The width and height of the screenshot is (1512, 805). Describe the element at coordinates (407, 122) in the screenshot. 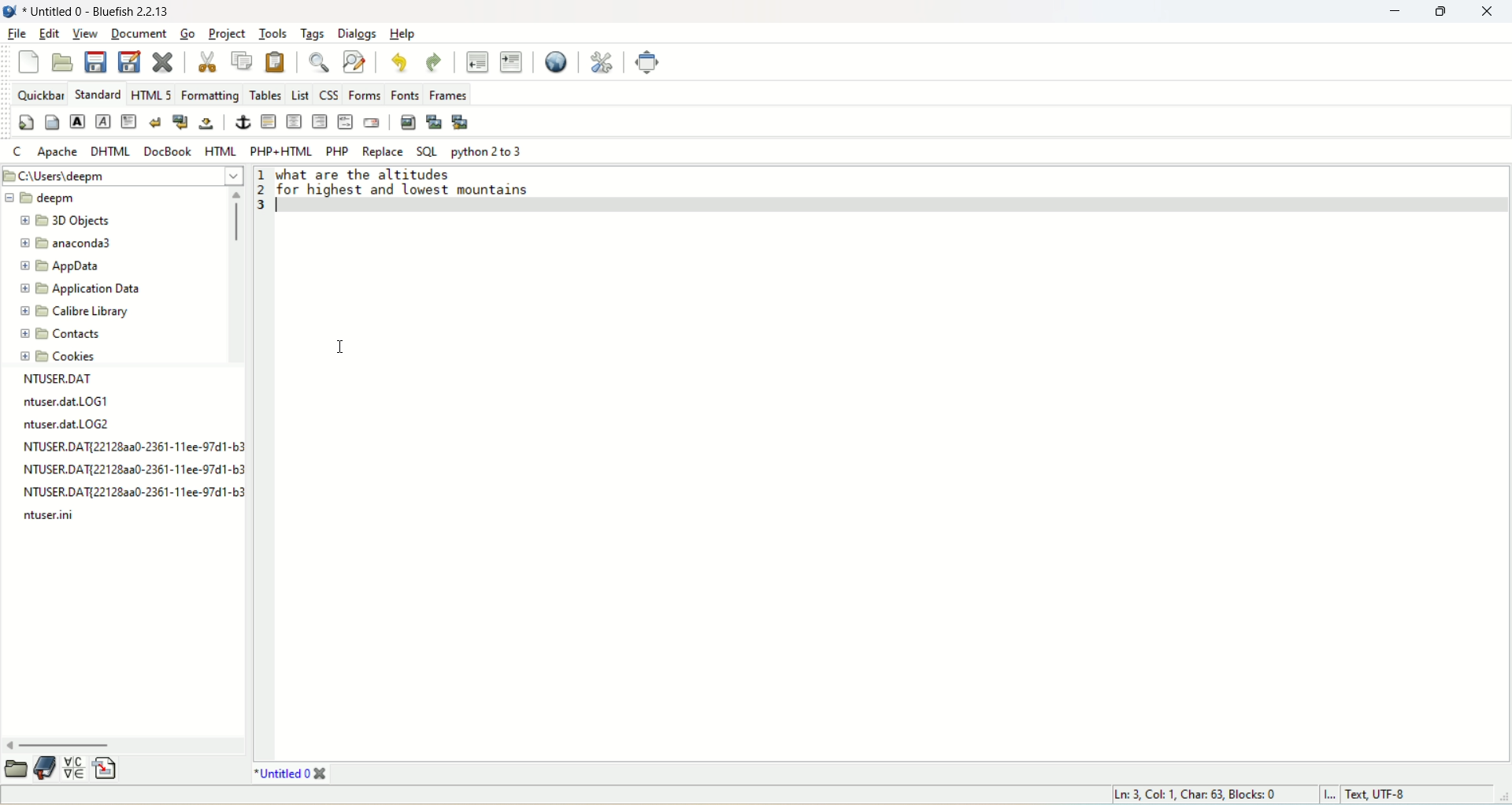

I see `insert image` at that location.